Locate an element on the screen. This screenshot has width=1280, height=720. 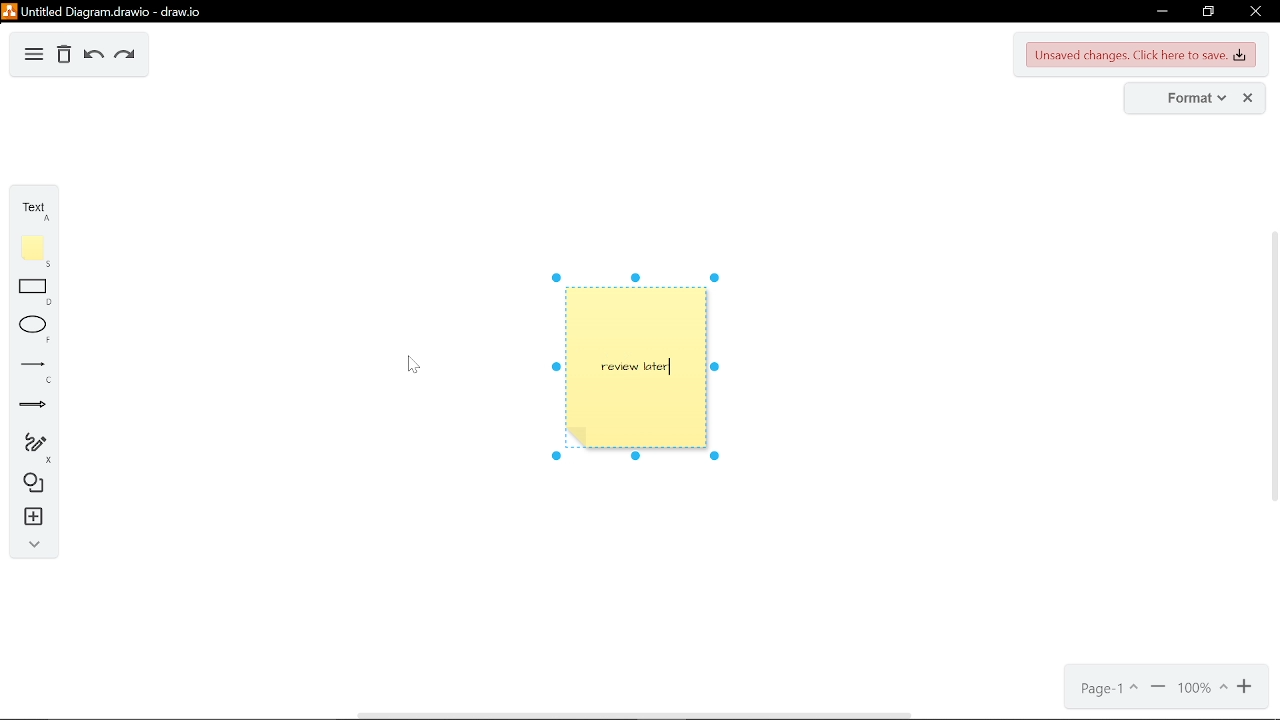
insert is located at coordinates (29, 517).